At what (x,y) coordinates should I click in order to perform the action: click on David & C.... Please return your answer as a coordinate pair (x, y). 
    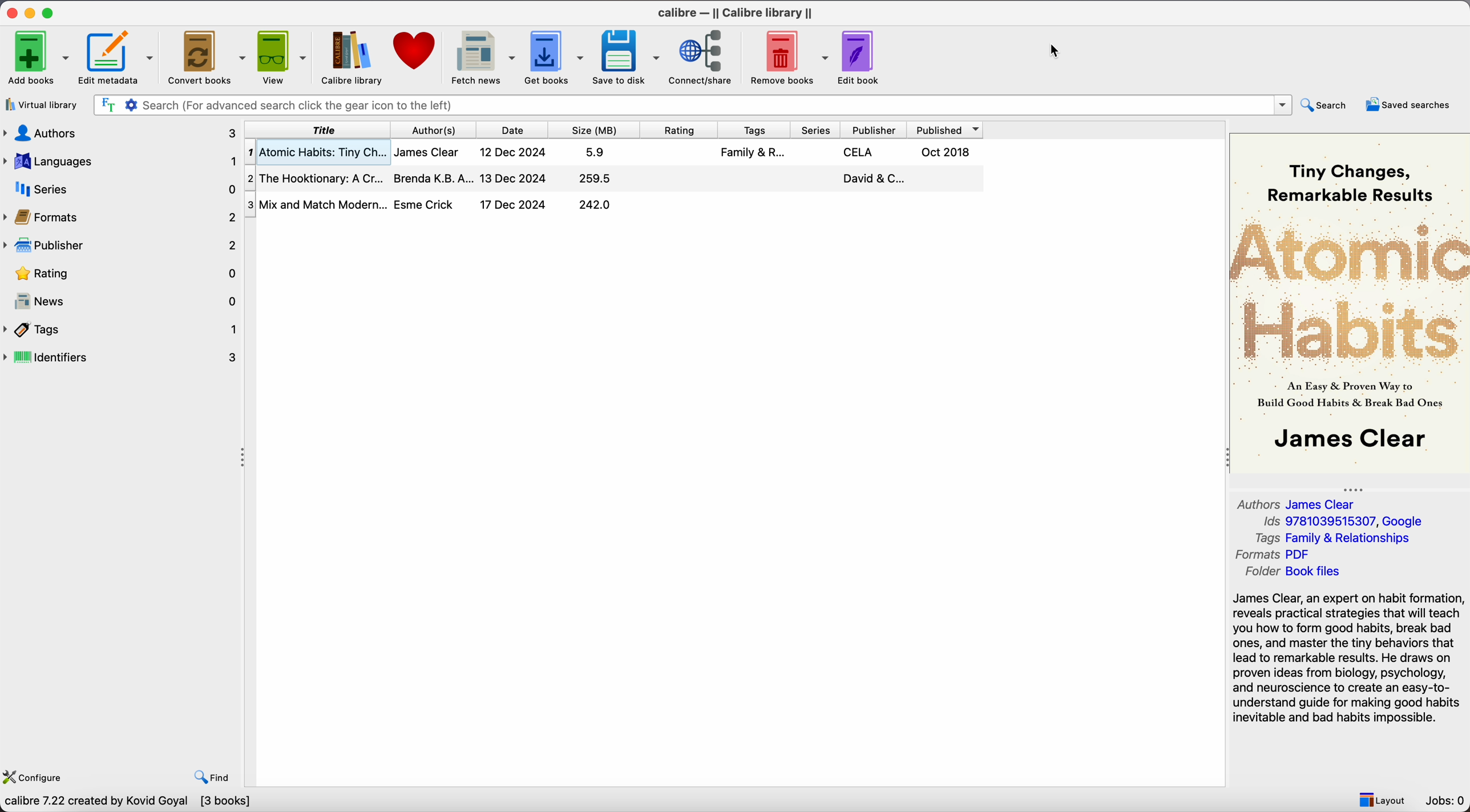
    Looking at the image, I should click on (871, 179).